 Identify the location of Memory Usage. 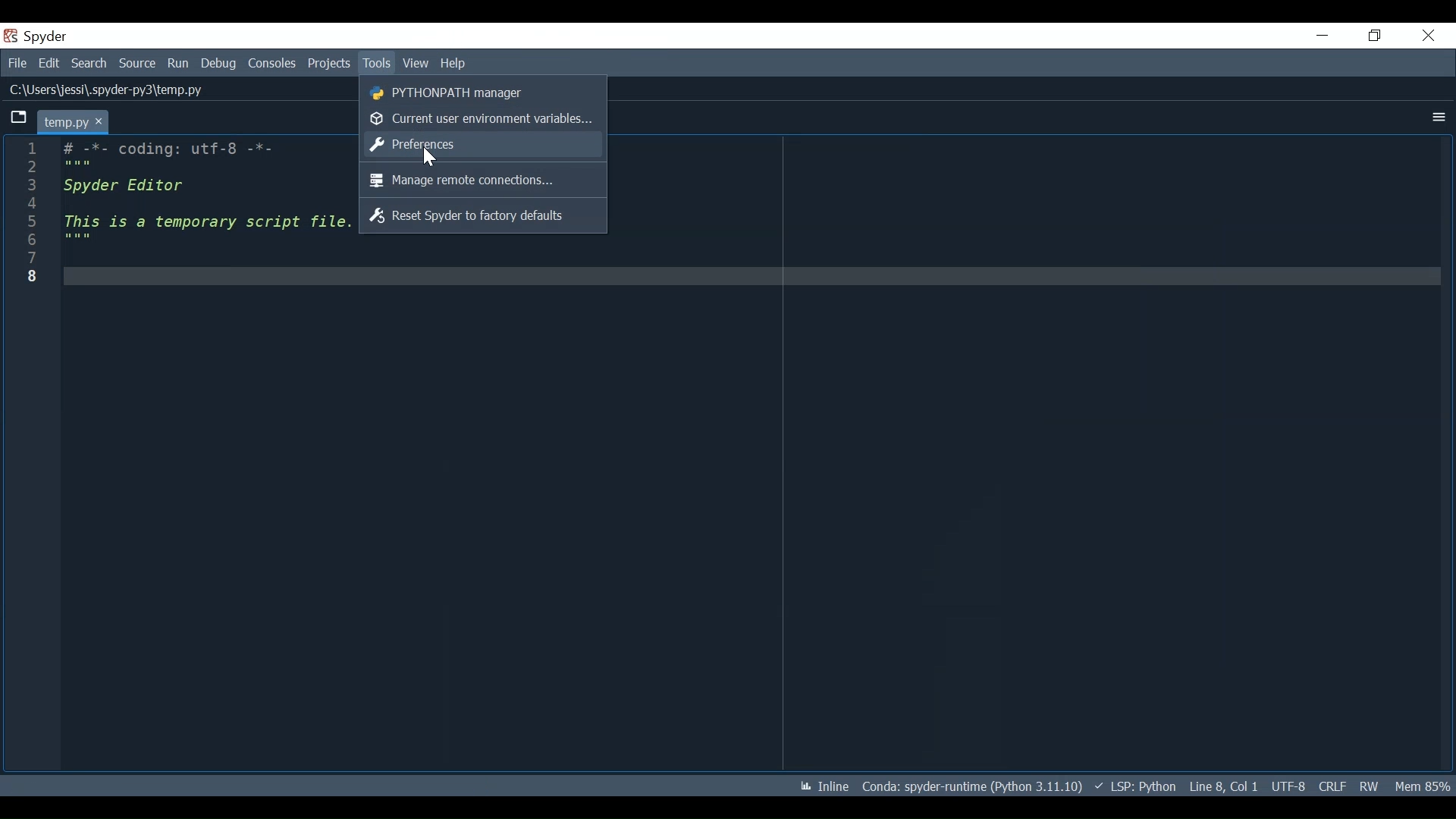
(1422, 786).